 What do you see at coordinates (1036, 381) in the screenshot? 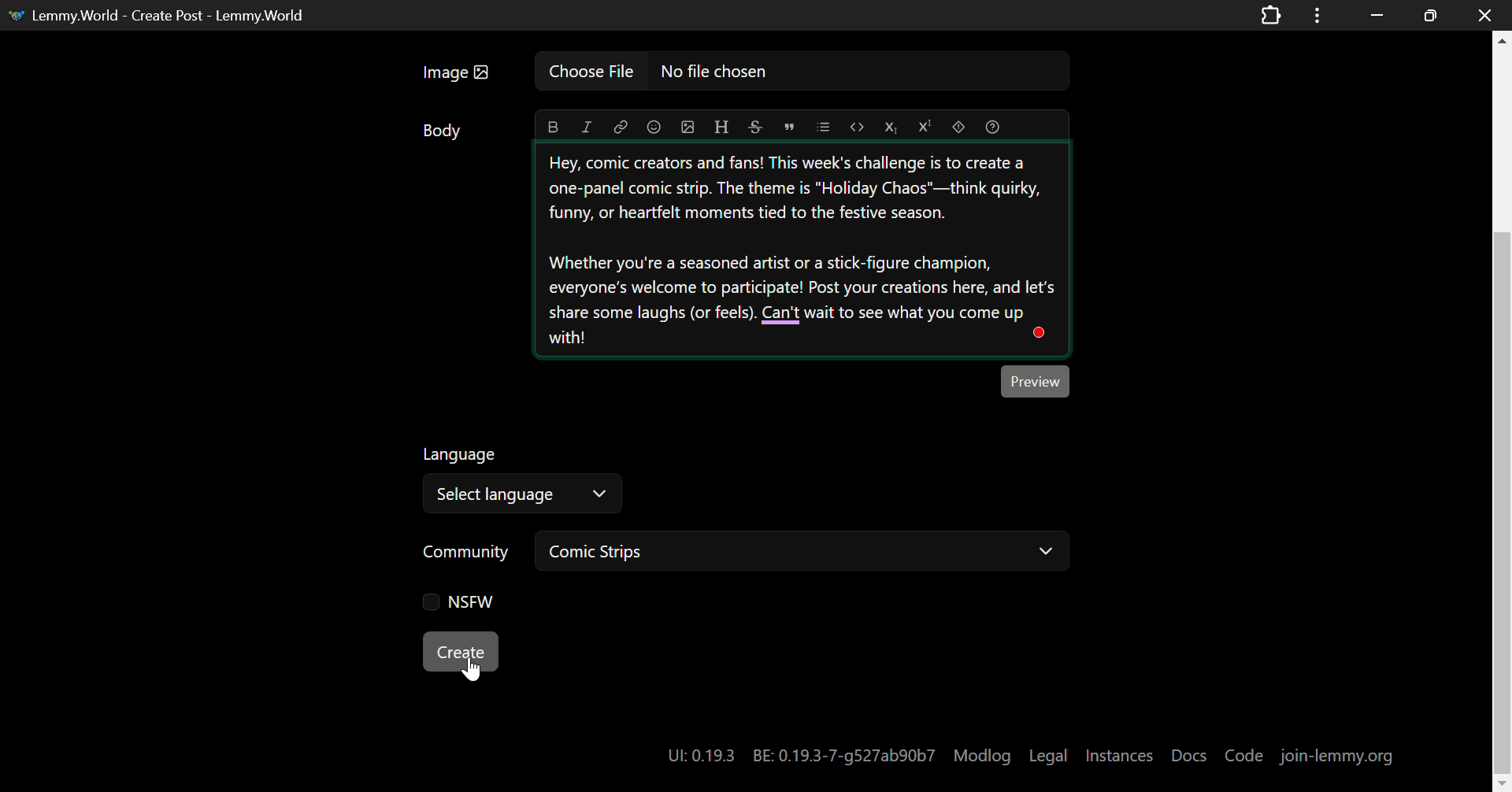
I see `Preview` at bounding box center [1036, 381].